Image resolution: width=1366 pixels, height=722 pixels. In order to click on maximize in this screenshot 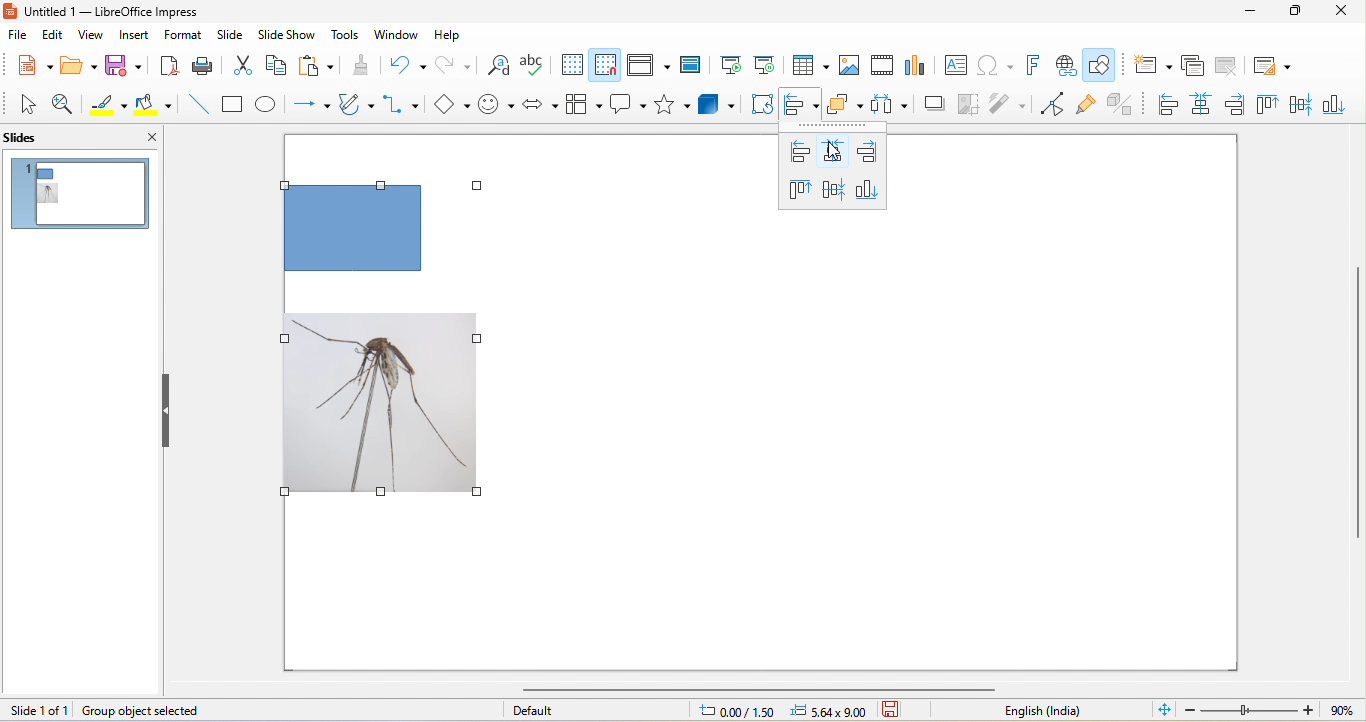, I will do `click(1294, 12)`.